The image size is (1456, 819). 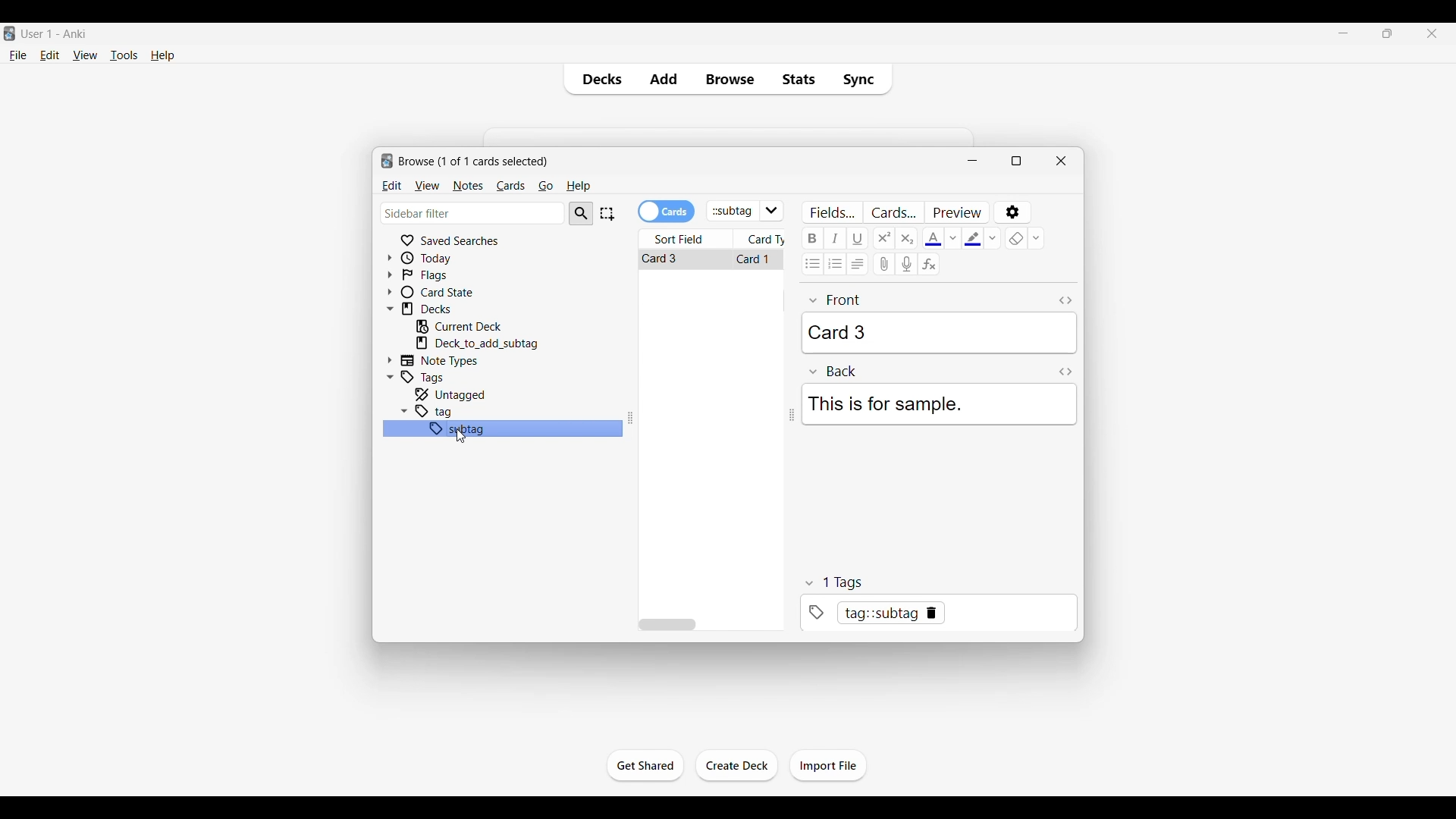 What do you see at coordinates (472, 394) in the screenshot?
I see `Click to go to untagged` at bounding box center [472, 394].